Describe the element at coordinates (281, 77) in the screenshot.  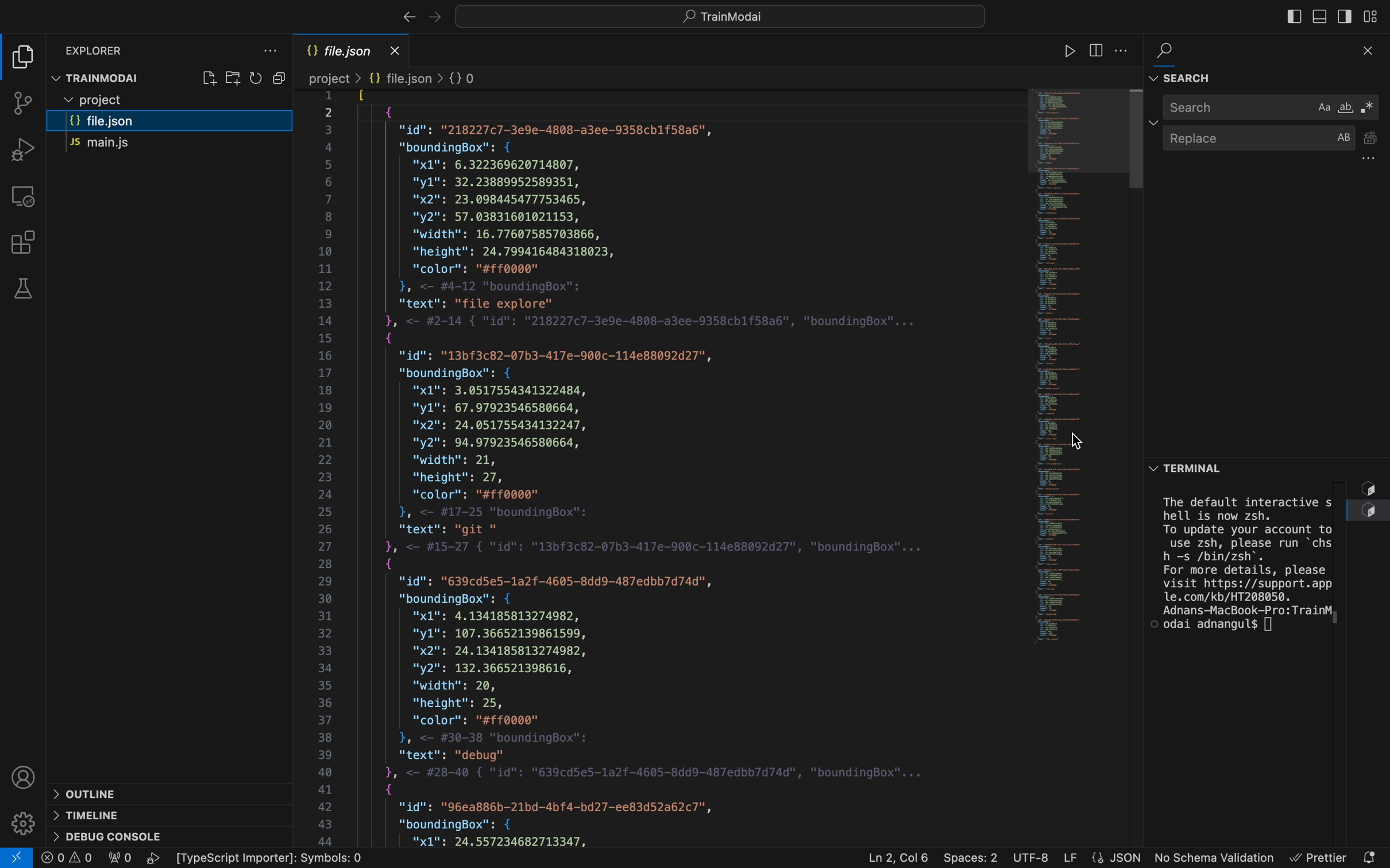
I see `` at that location.